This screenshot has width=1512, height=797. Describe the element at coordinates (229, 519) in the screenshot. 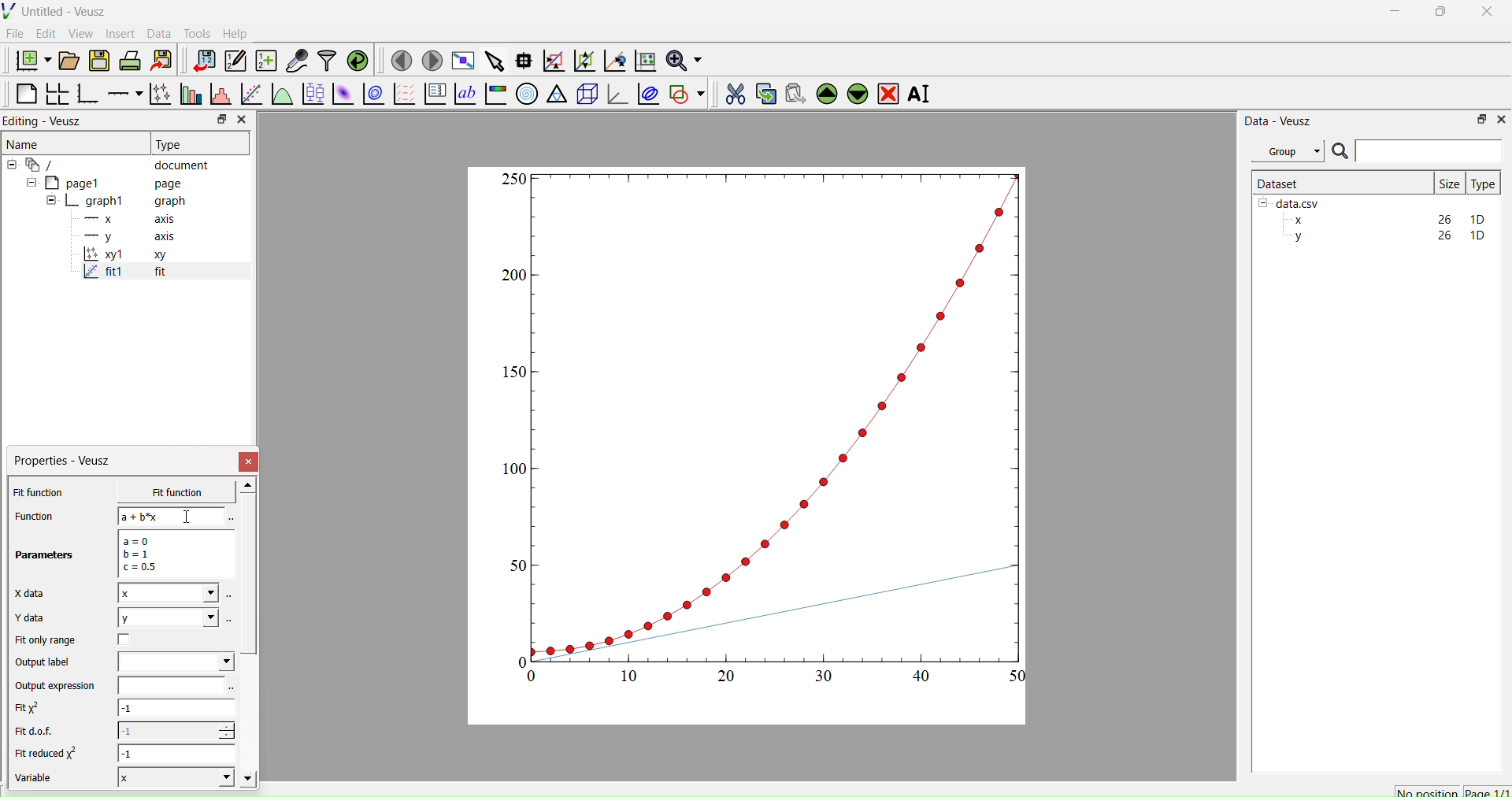

I see `Select using dataset browser` at that location.